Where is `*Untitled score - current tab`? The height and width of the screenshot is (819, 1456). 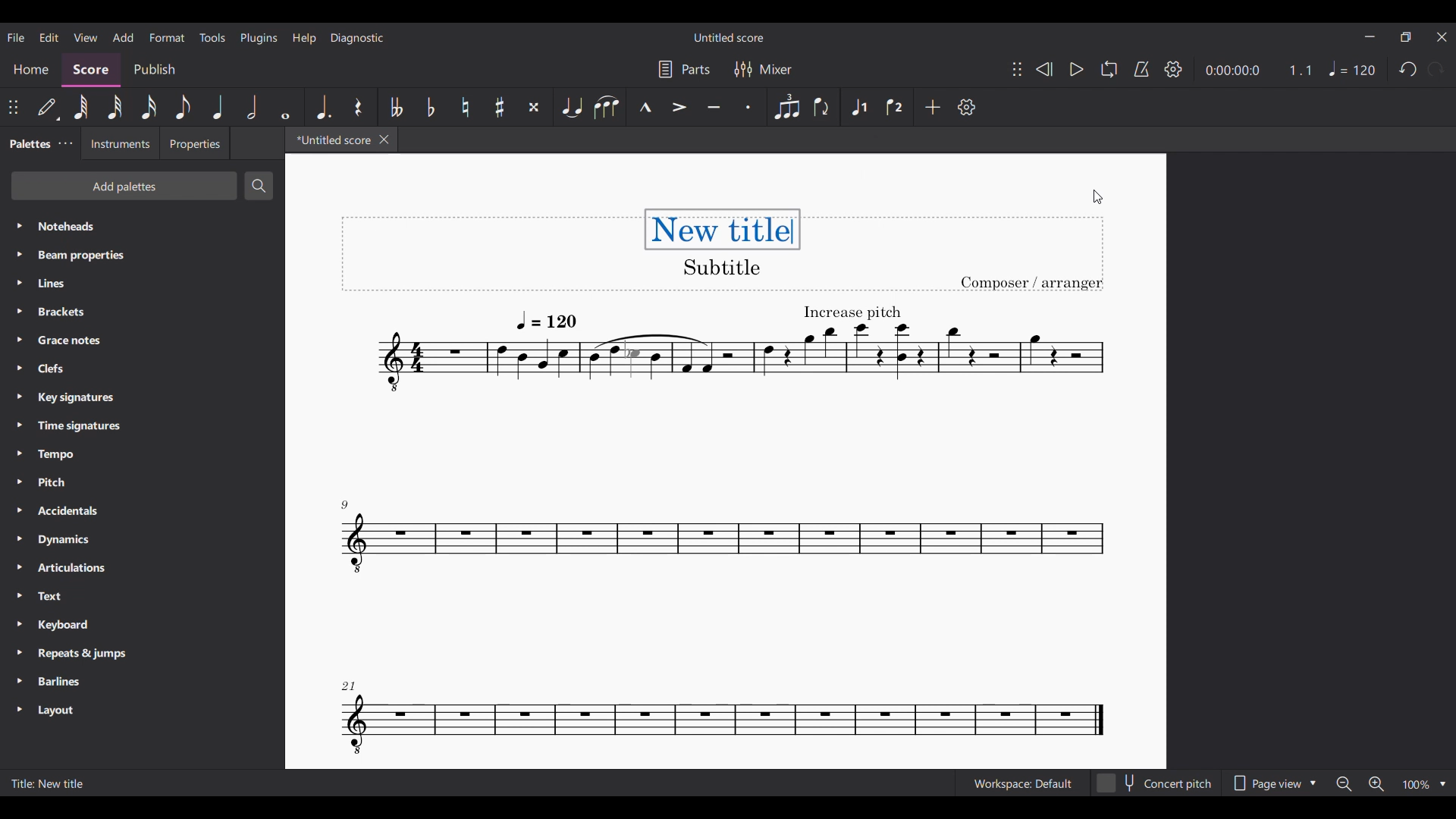 *Untitled score - current tab is located at coordinates (330, 140).